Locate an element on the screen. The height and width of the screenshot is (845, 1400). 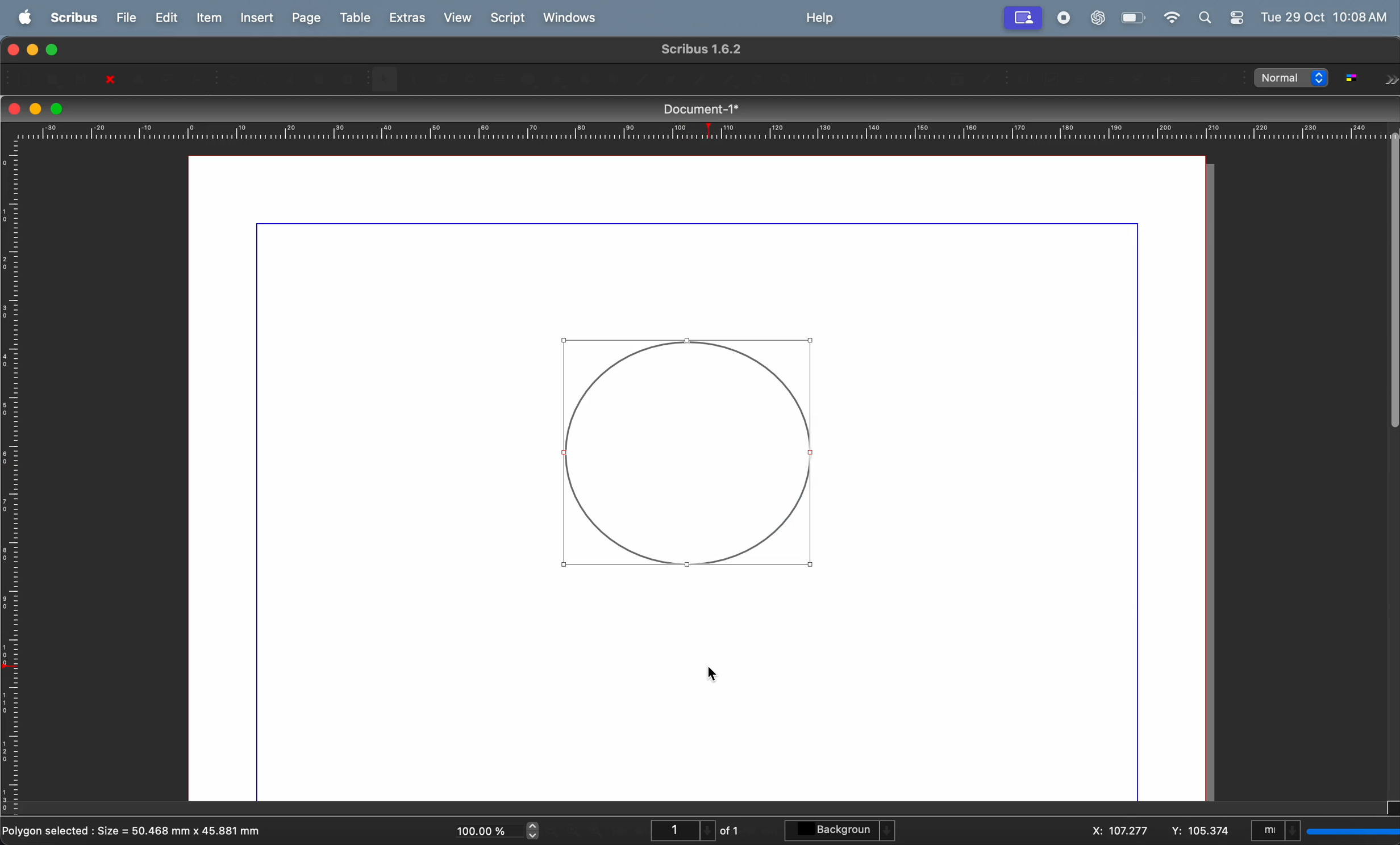
select current unit is located at coordinates (1324, 827).